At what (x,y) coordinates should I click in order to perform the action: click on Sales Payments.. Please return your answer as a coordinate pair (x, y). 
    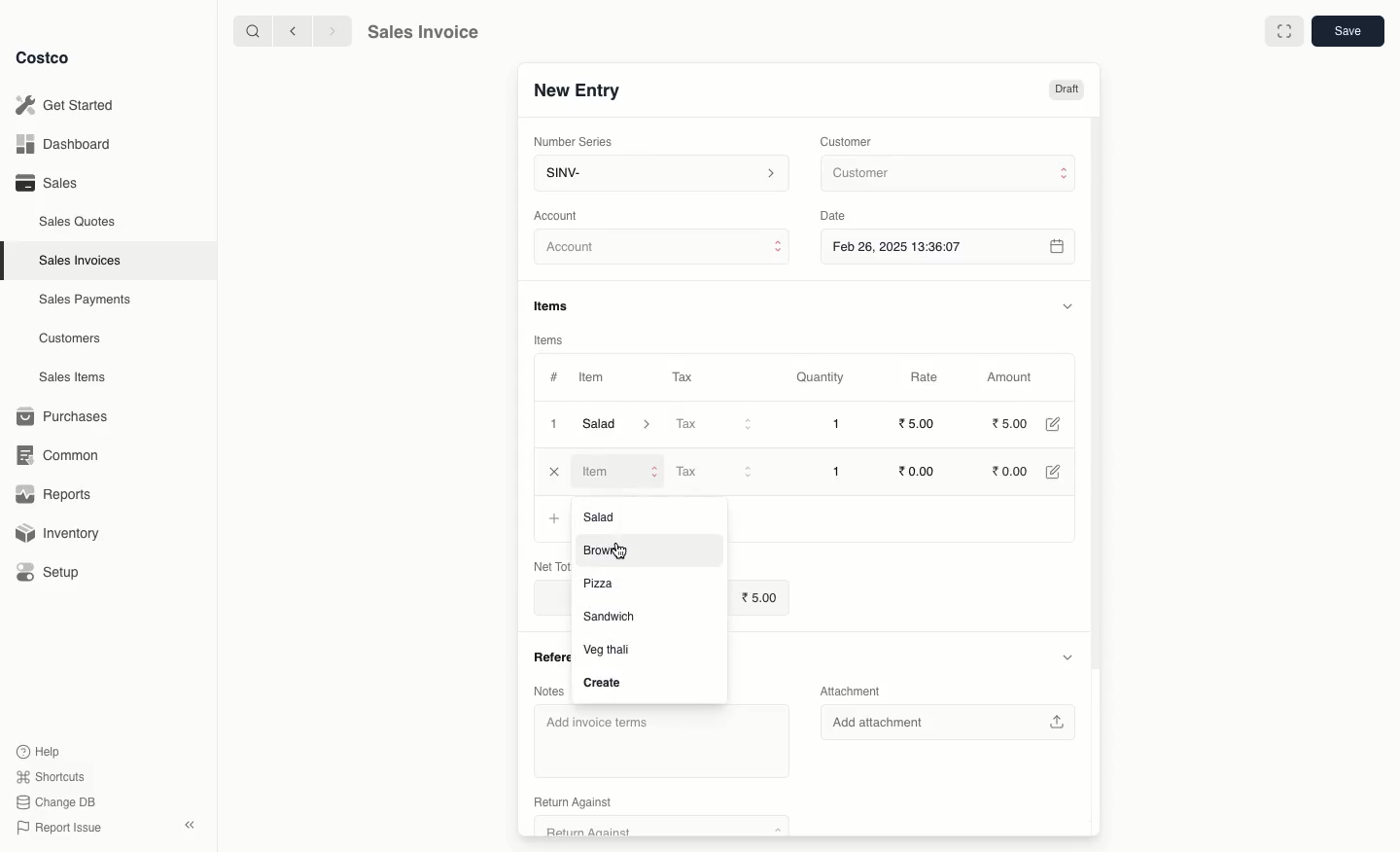
    Looking at the image, I should click on (87, 302).